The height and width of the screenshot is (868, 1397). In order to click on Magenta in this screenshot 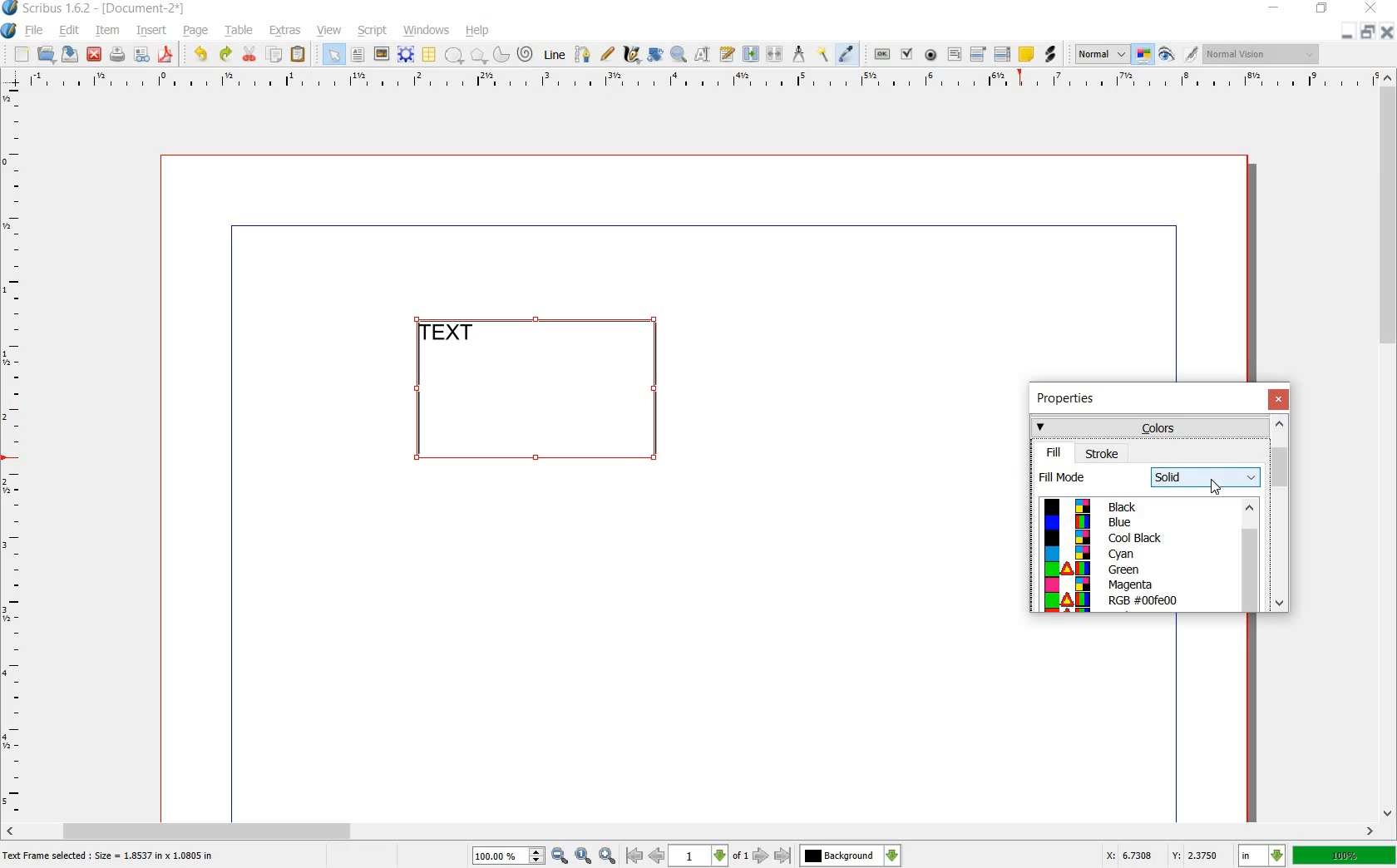, I will do `click(1135, 584)`.